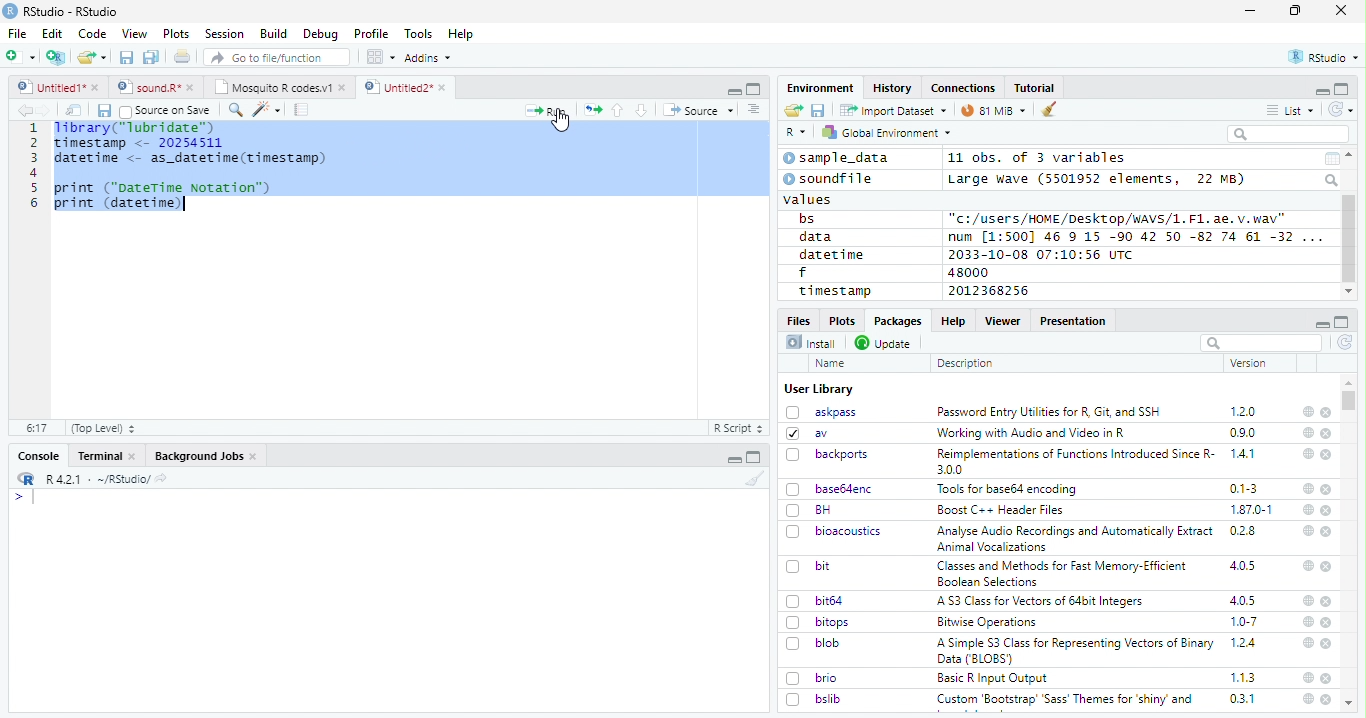 This screenshot has width=1366, height=718. Describe the element at coordinates (1291, 111) in the screenshot. I see `List` at that location.